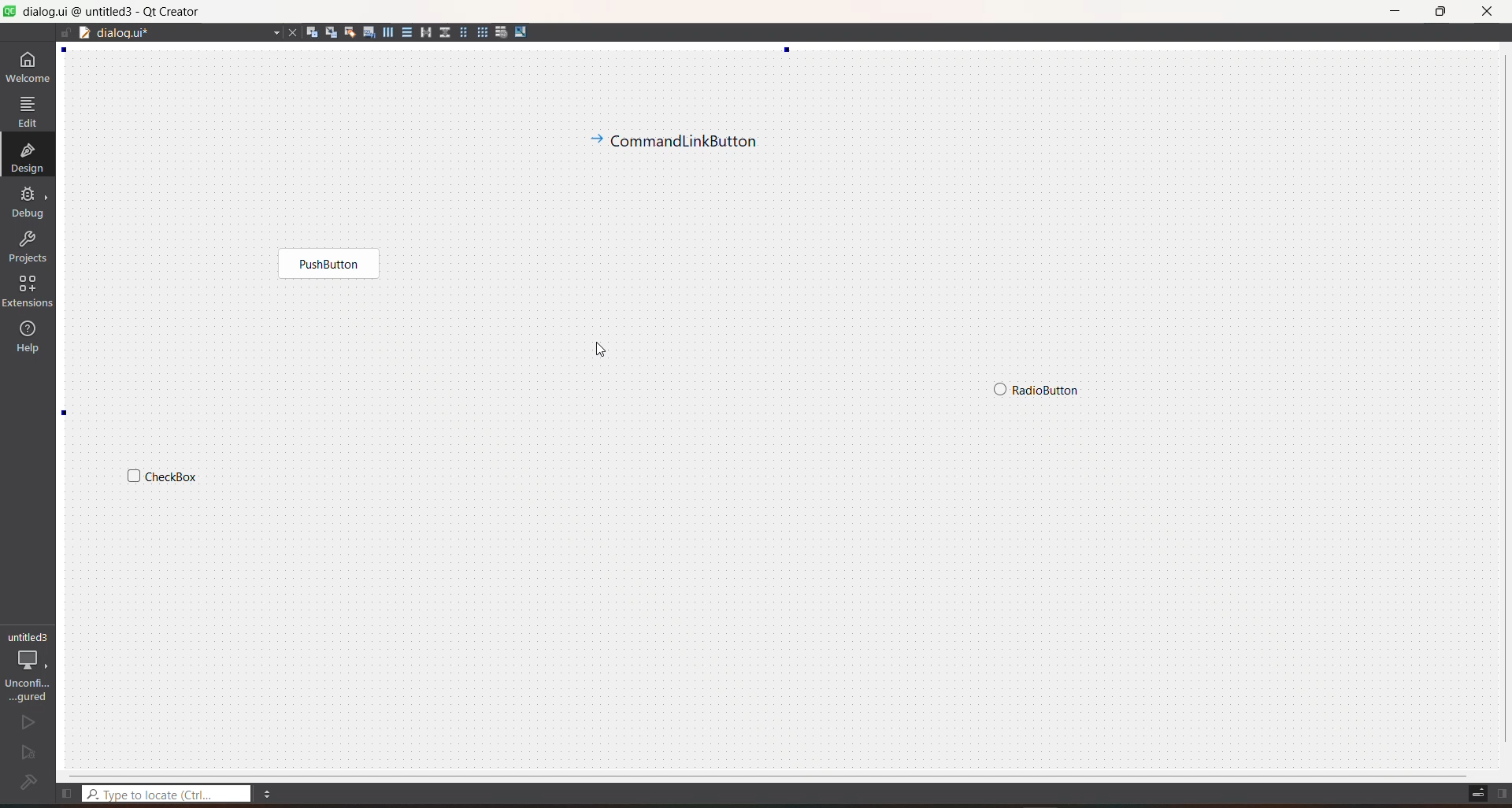  Describe the element at coordinates (404, 32) in the screenshot. I see `layout vertically` at that location.